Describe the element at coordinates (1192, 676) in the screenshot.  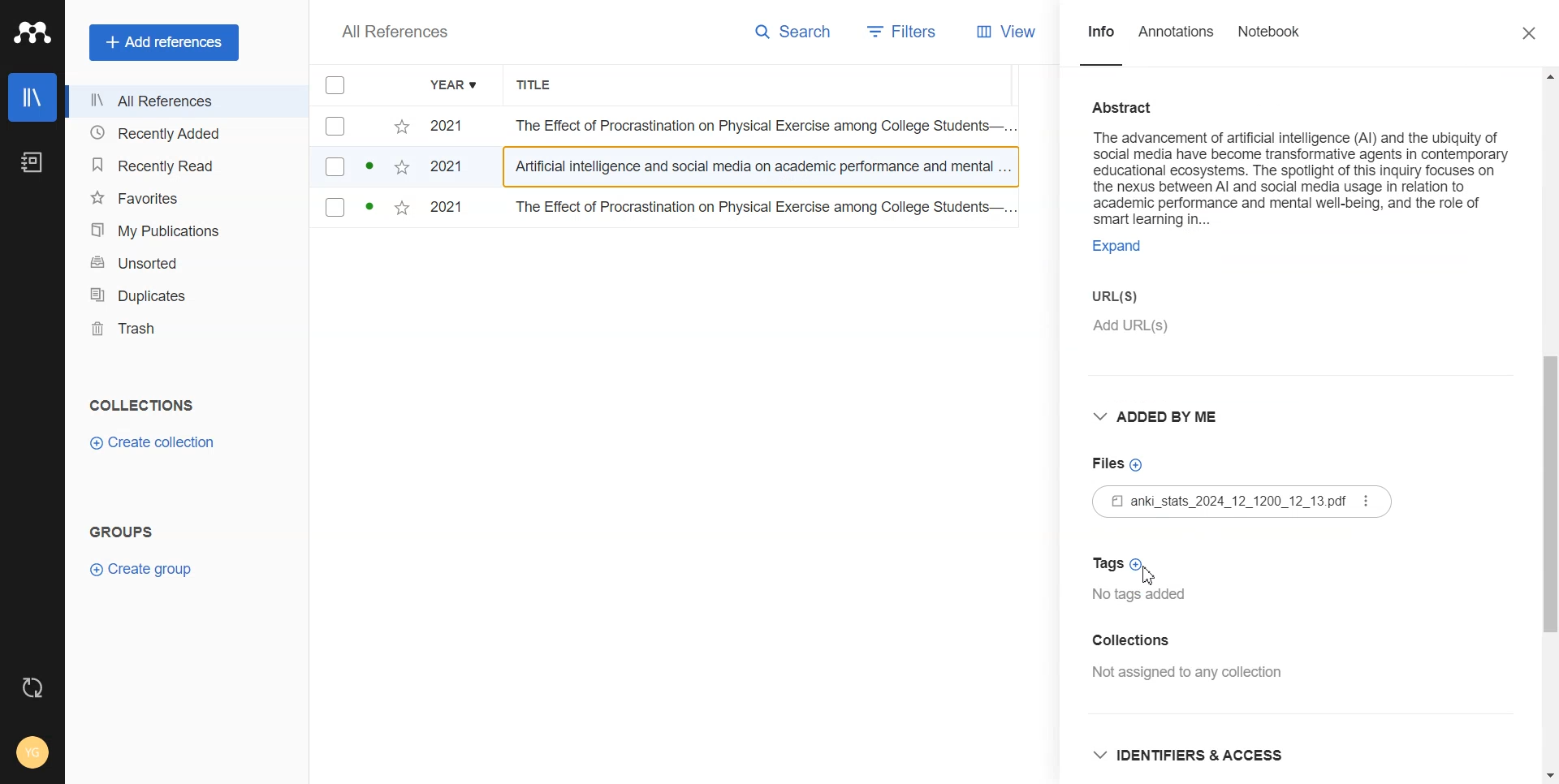
I see `Not assigned any collection` at that location.